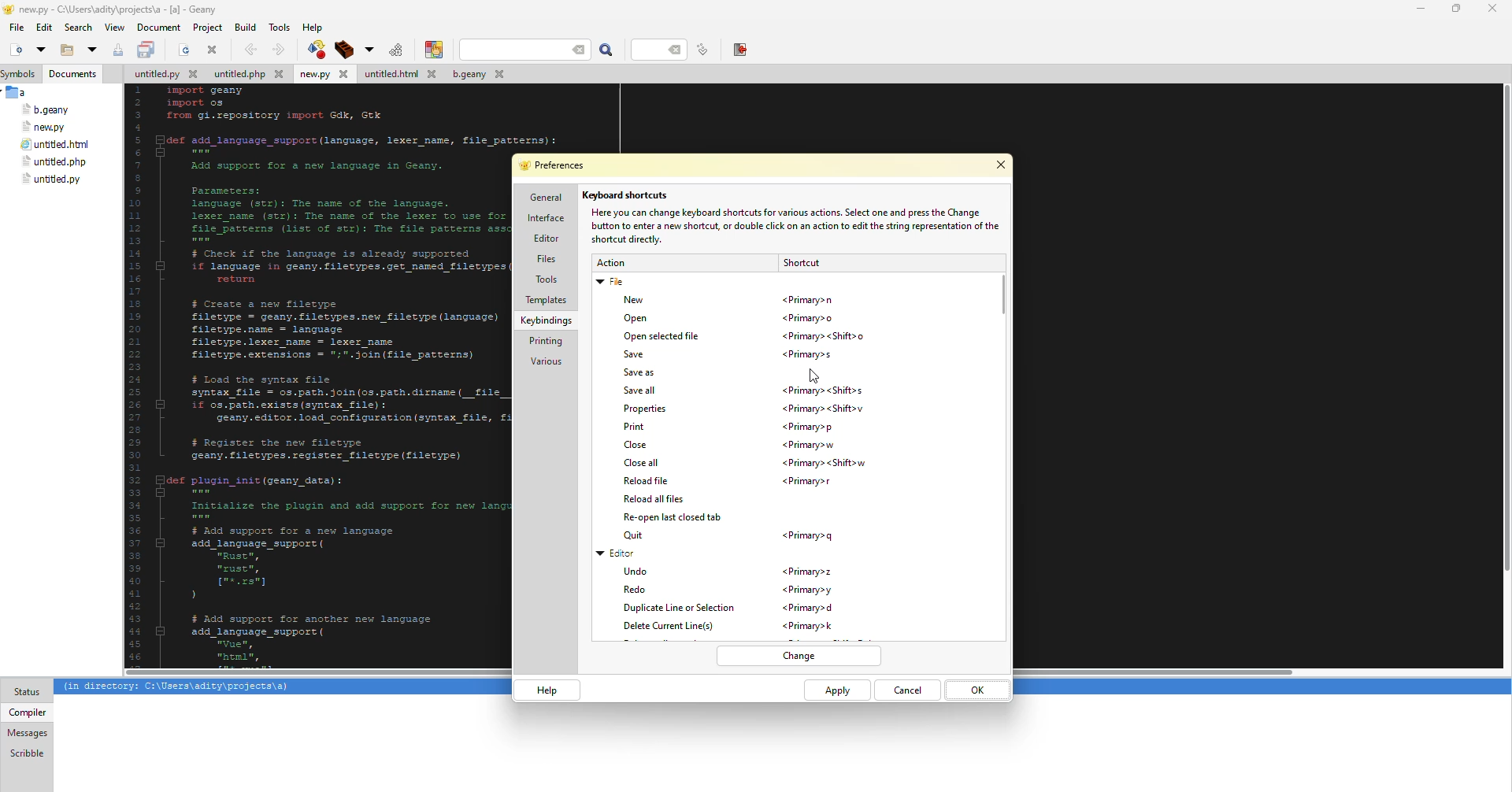 The height and width of the screenshot is (792, 1512). I want to click on help, so click(545, 690).